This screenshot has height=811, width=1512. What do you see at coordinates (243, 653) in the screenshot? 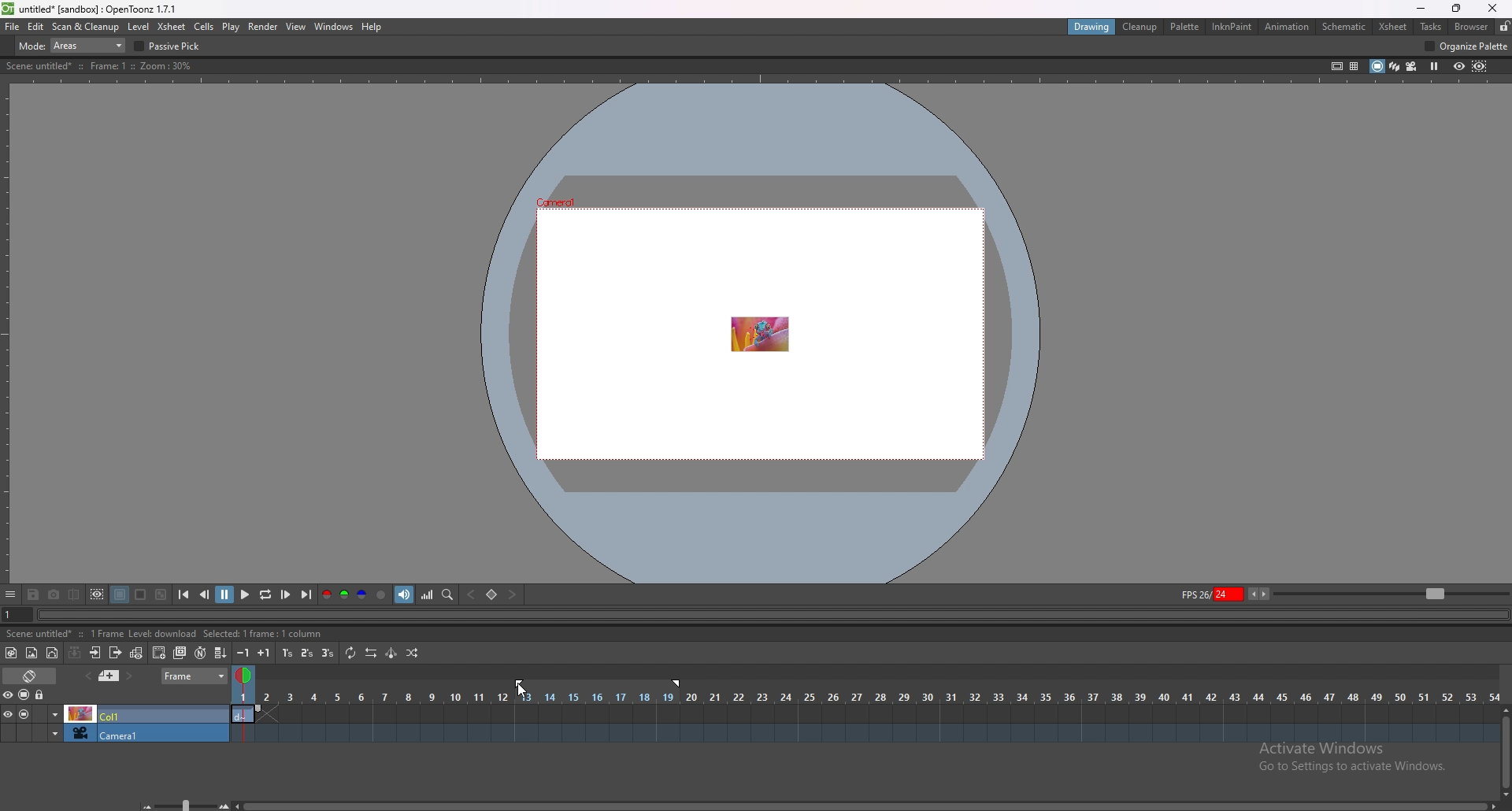
I see `decrease step` at bounding box center [243, 653].